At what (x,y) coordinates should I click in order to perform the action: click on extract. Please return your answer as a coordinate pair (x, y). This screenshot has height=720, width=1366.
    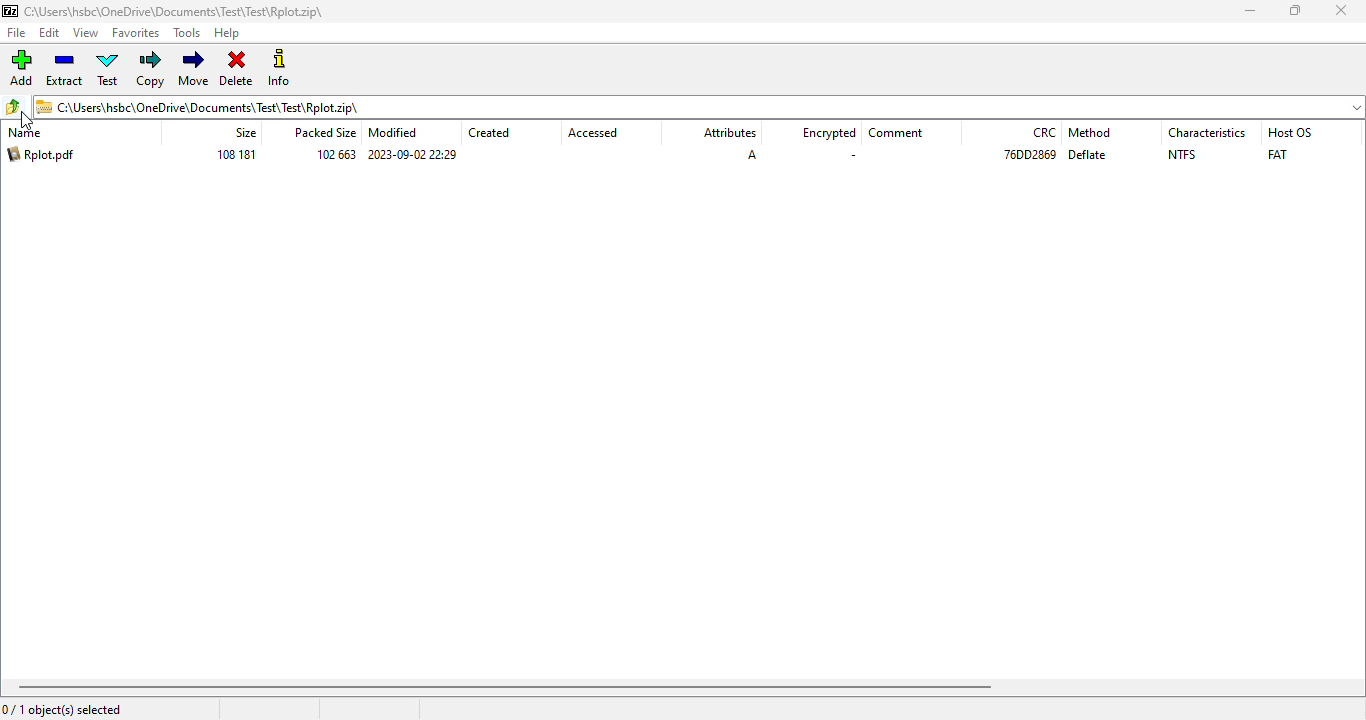
    Looking at the image, I should click on (64, 69).